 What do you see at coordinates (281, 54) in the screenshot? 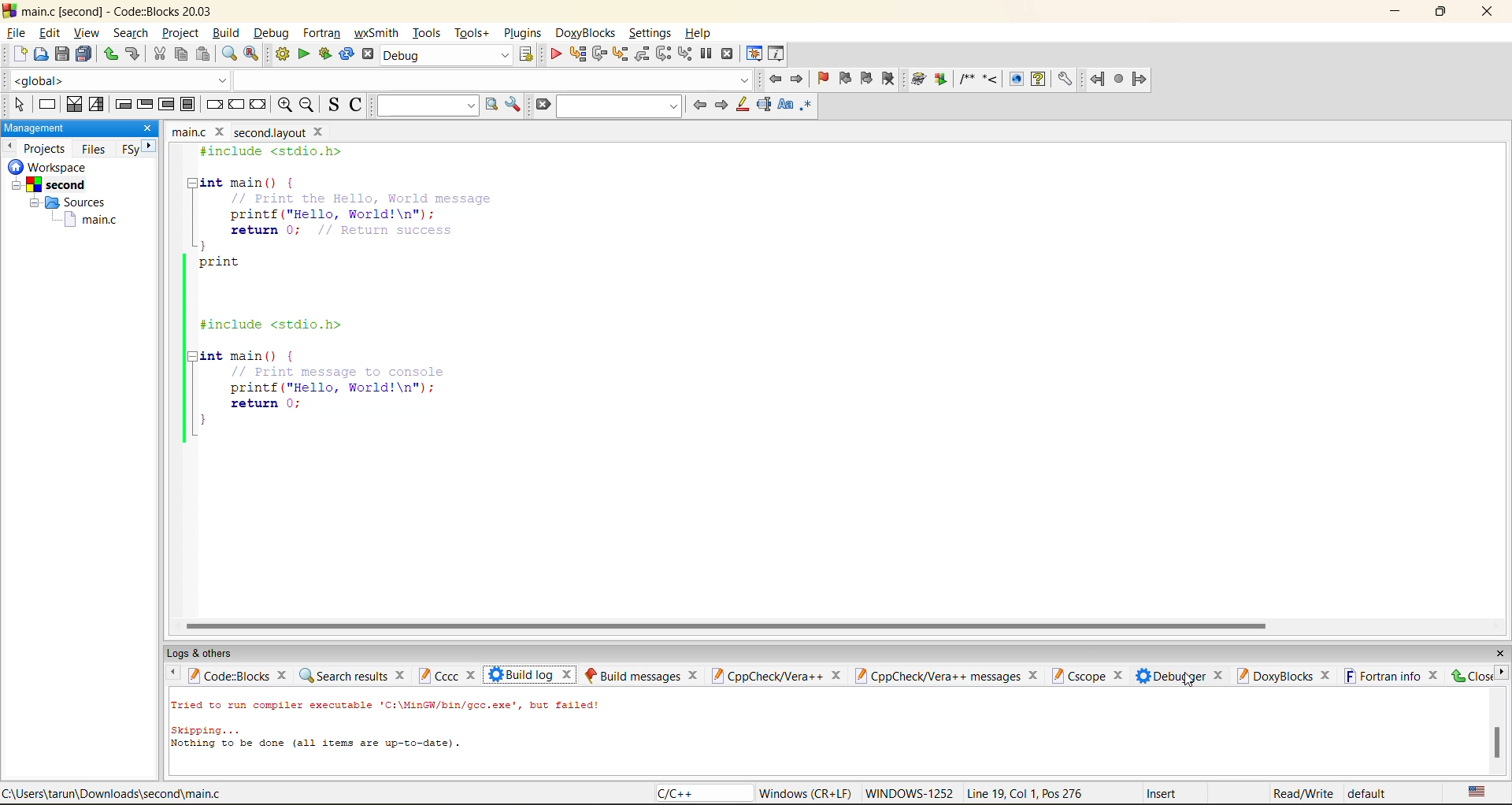
I see `build` at bounding box center [281, 54].